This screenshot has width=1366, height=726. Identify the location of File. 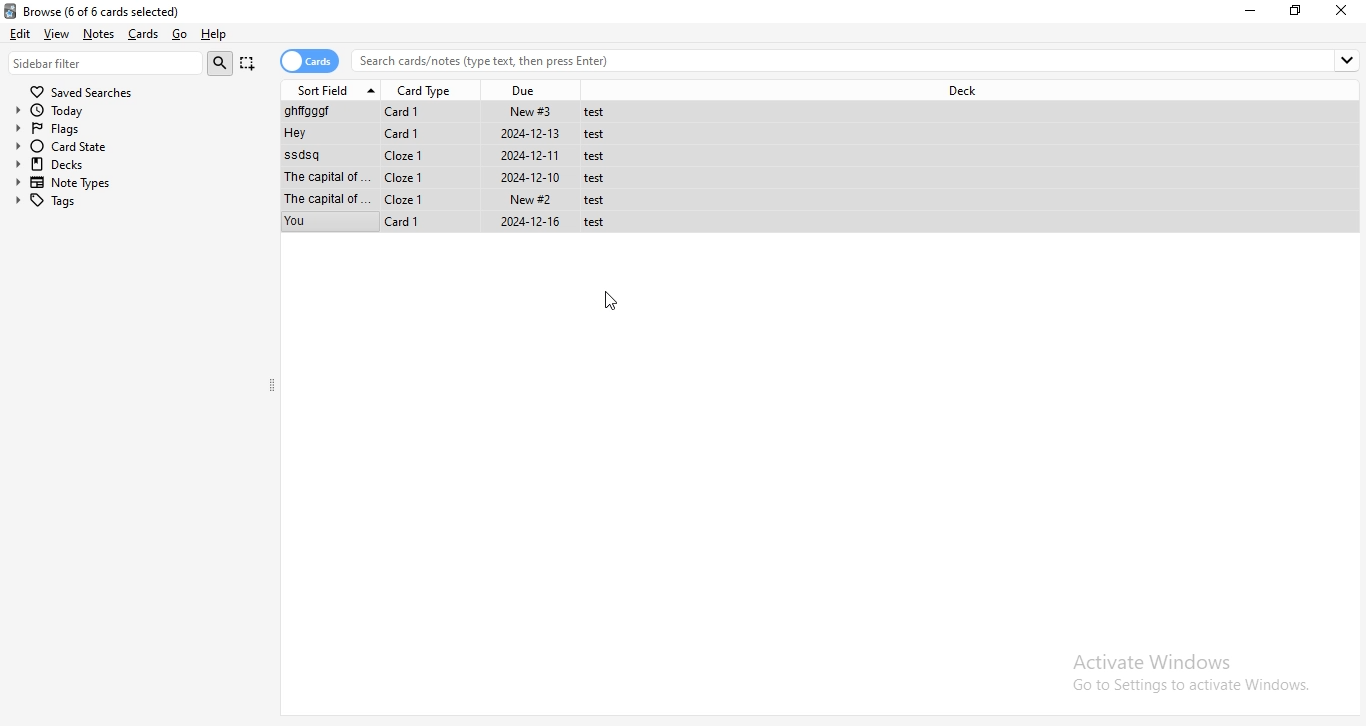
(457, 199).